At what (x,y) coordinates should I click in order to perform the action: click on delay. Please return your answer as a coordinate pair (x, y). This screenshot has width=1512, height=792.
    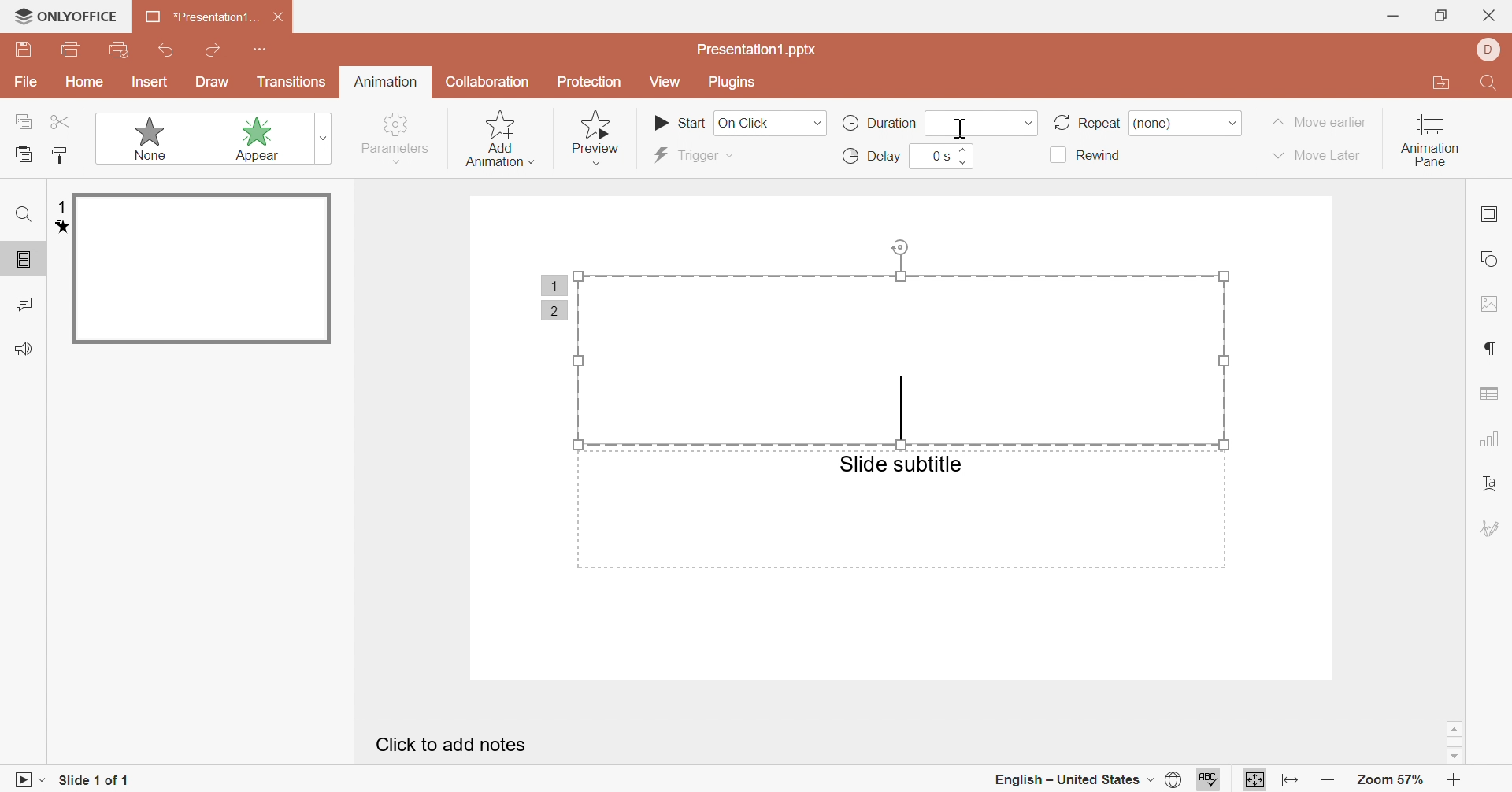
    Looking at the image, I should click on (873, 156).